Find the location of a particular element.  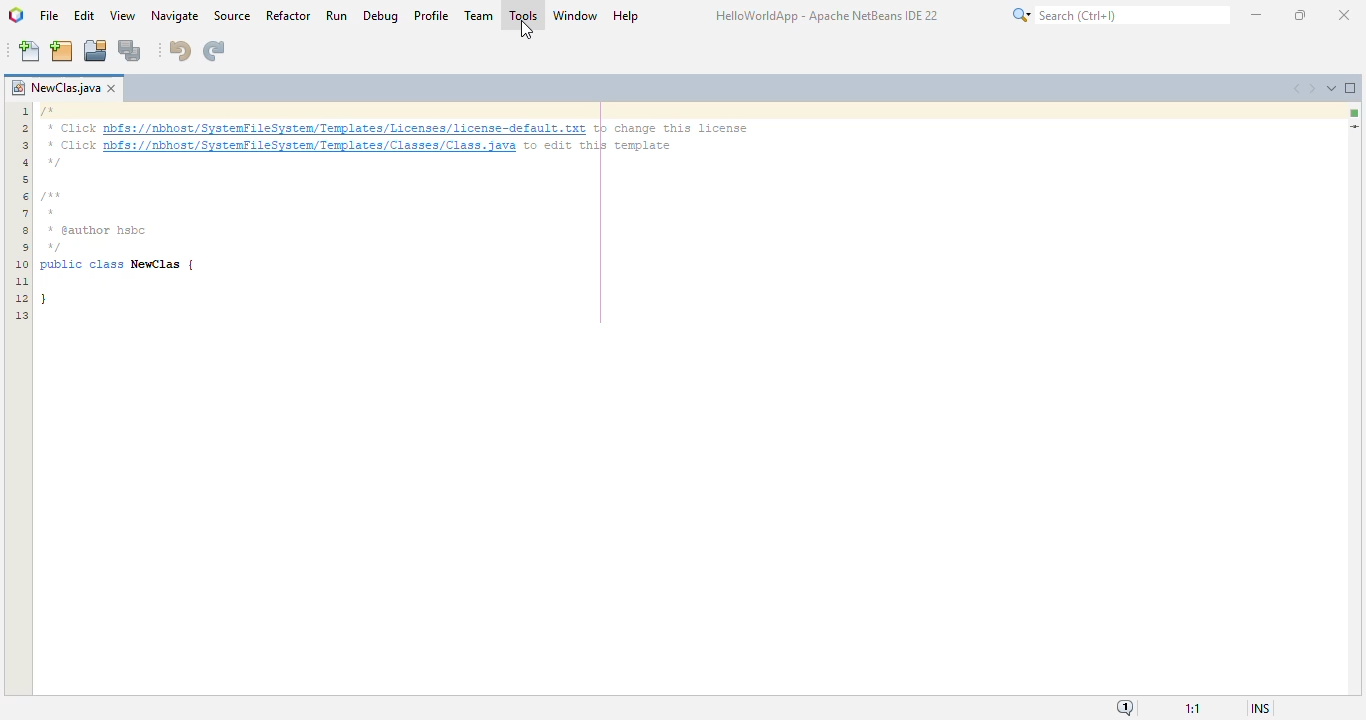

help is located at coordinates (627, 15).